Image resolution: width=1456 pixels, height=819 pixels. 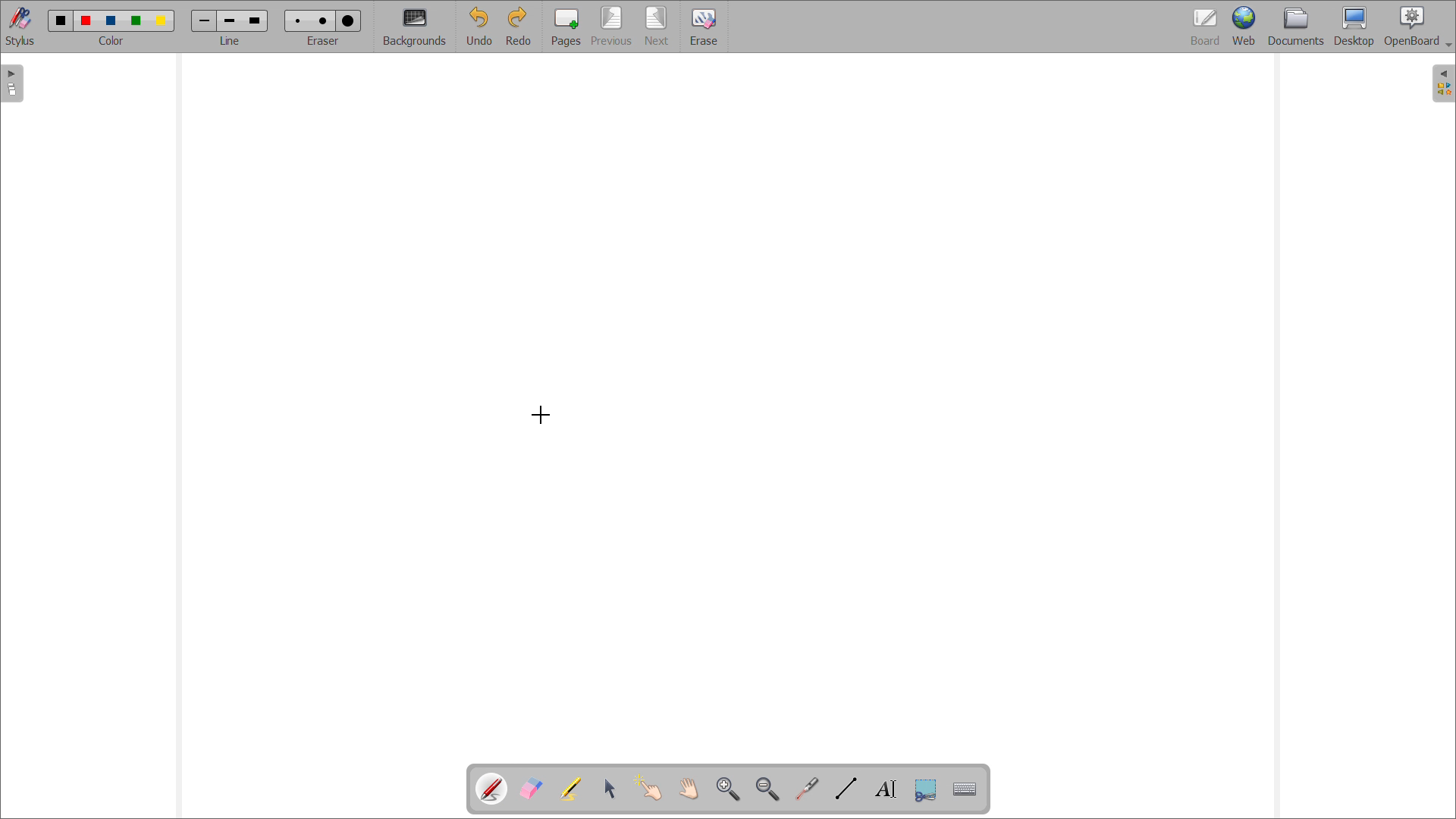 I want to click on select eraser size, so click(x=324, y=41).